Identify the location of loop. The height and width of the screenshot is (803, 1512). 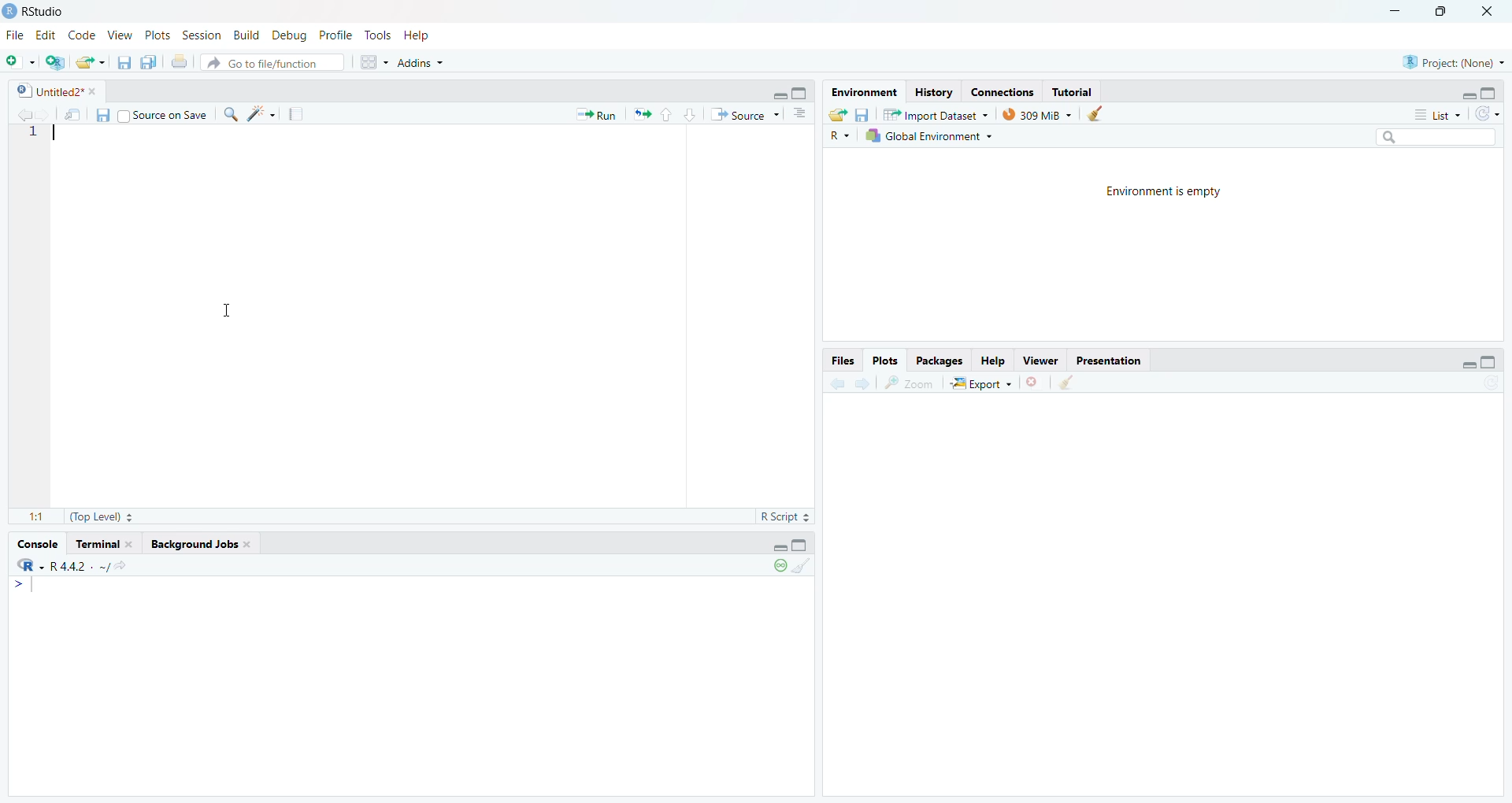
(775, 569).